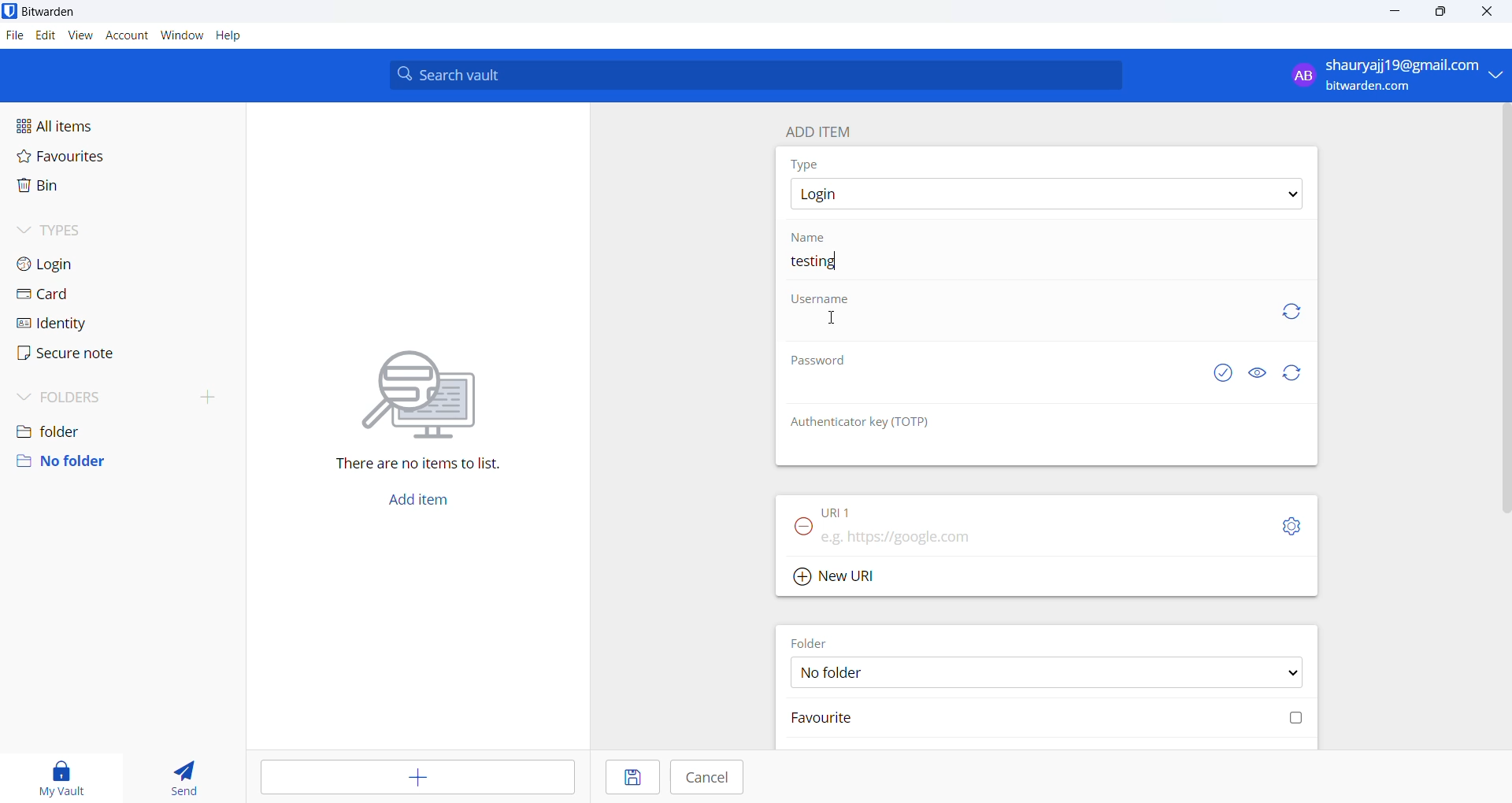  What do you see at coordinates (1223, 371) in the screenshot?
I see `exposed` at bounding box center [1223, 371].